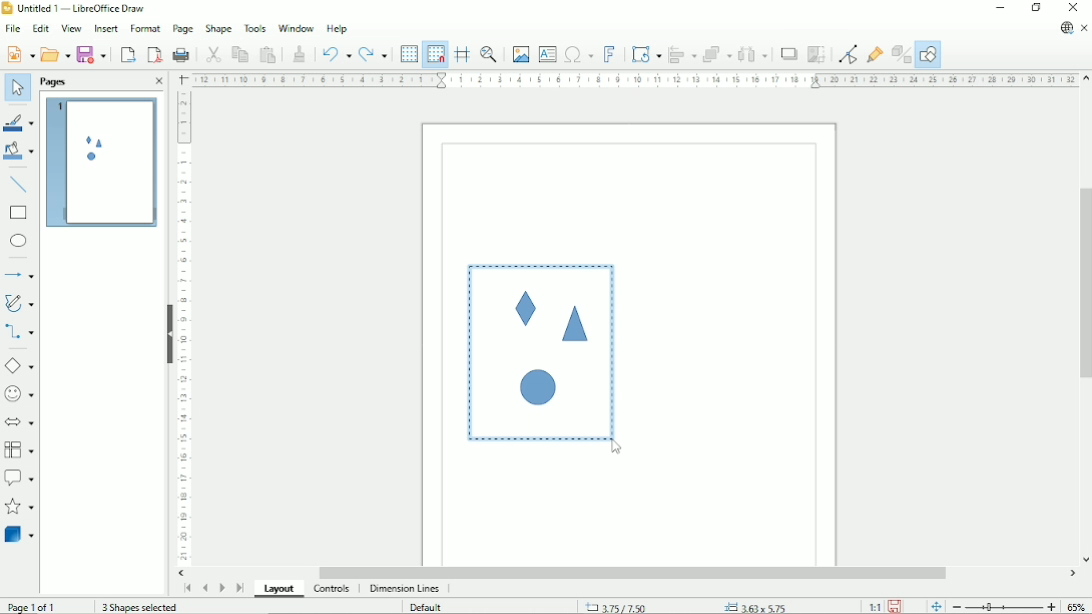 The image size is (1092, 614). Describe the element at coordinates (94, 53) in the screenshot. I see `Save` at that location.